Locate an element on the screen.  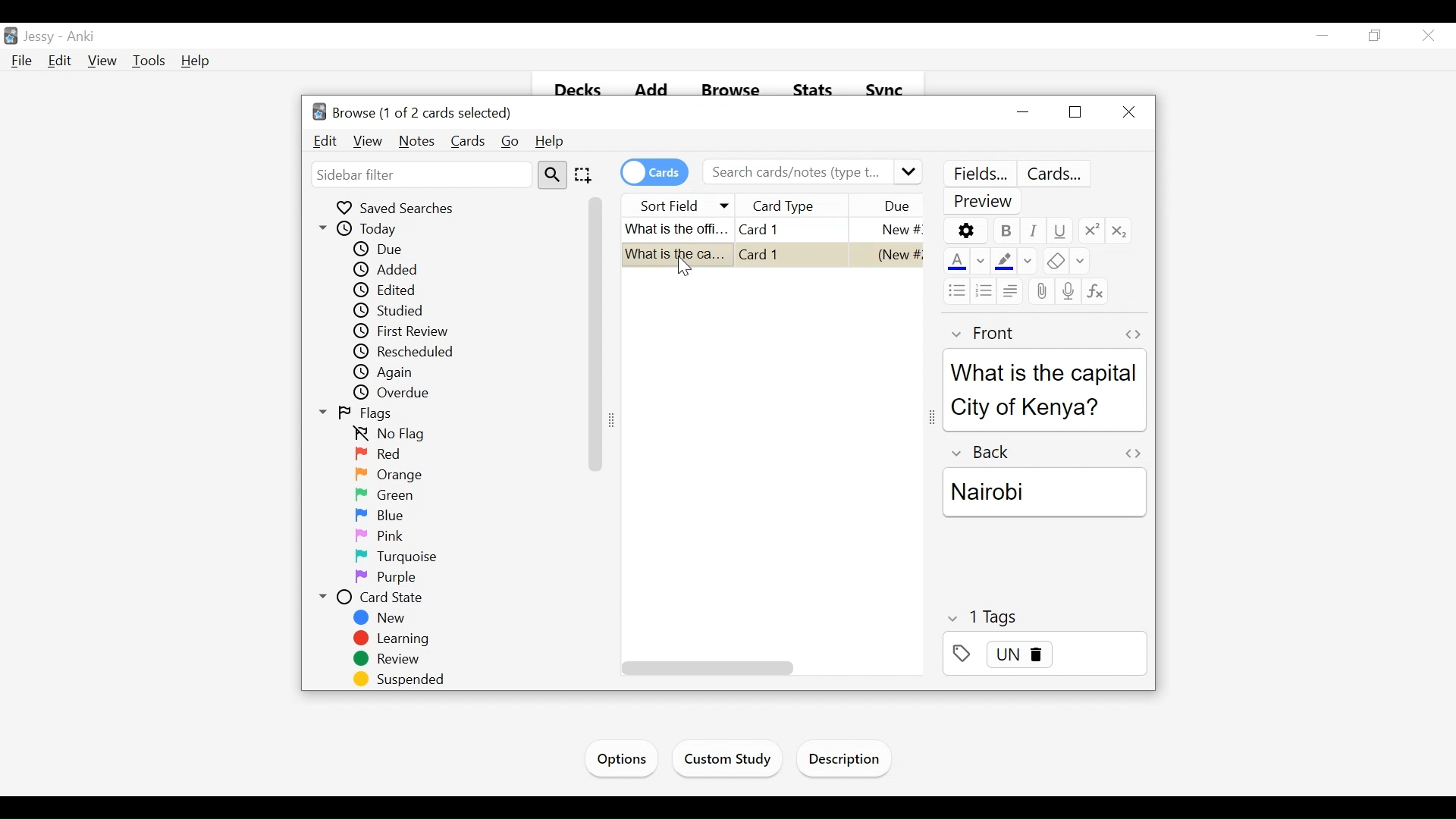
Unordered list is located at coordinates (955, 290).